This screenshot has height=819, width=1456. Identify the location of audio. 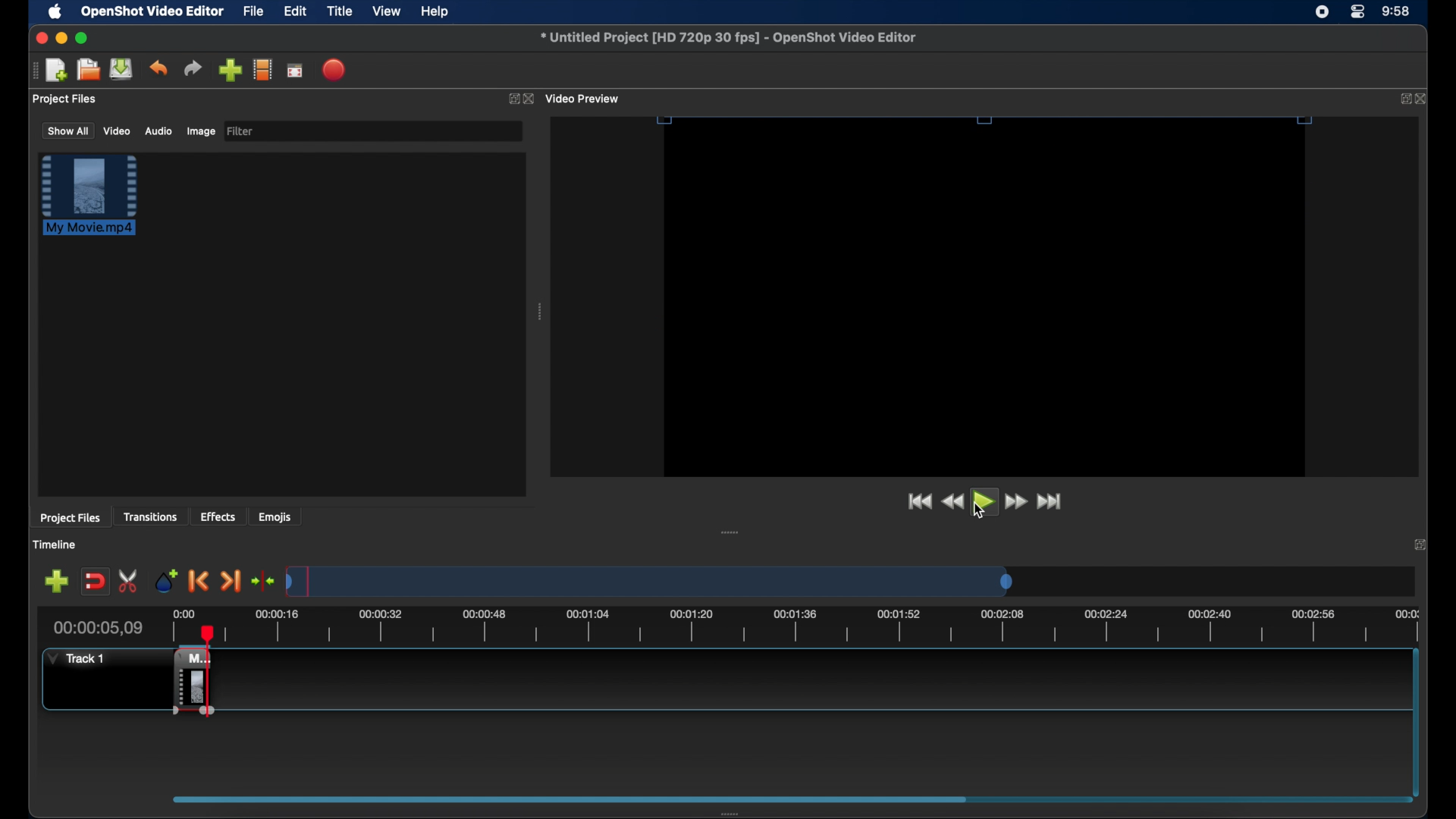
(158, 131).